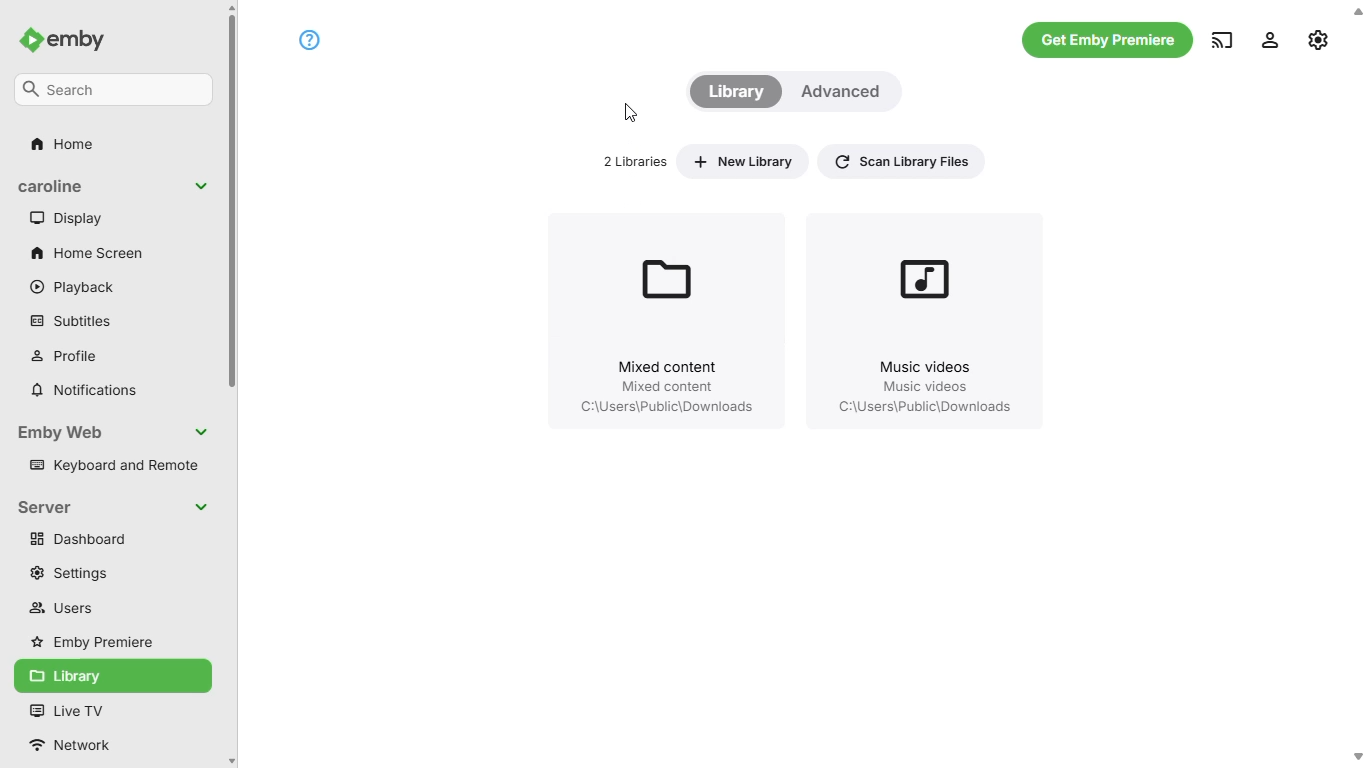 Image resolution: width=1366 pixels, height=768 pixels. What do you see at coordinates (67, 355) in the screenshot?
I see `profile` at bounding box center [67, 355].